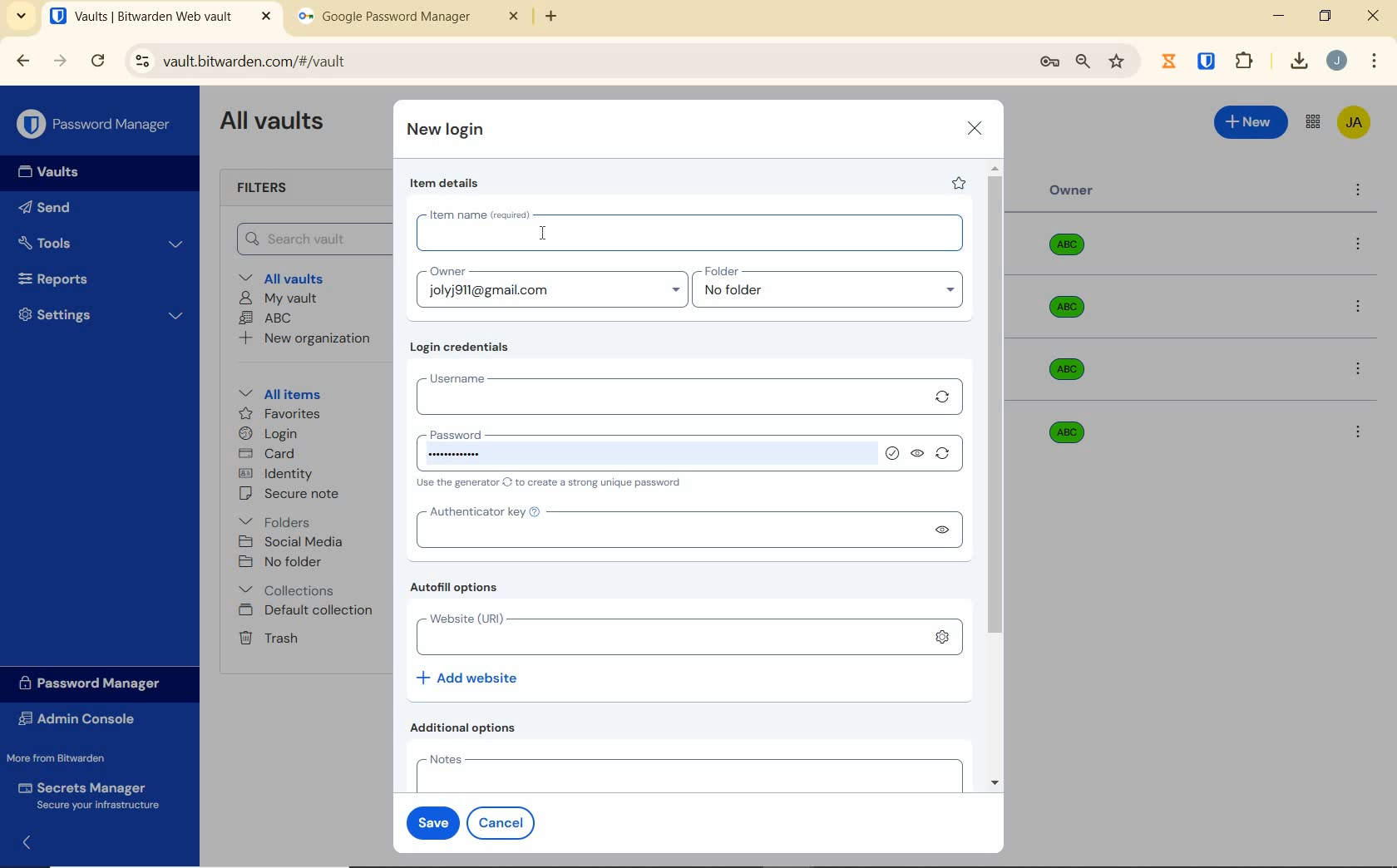 The image size is (1397, 868). I want to click on Trash, so click(265, 637).